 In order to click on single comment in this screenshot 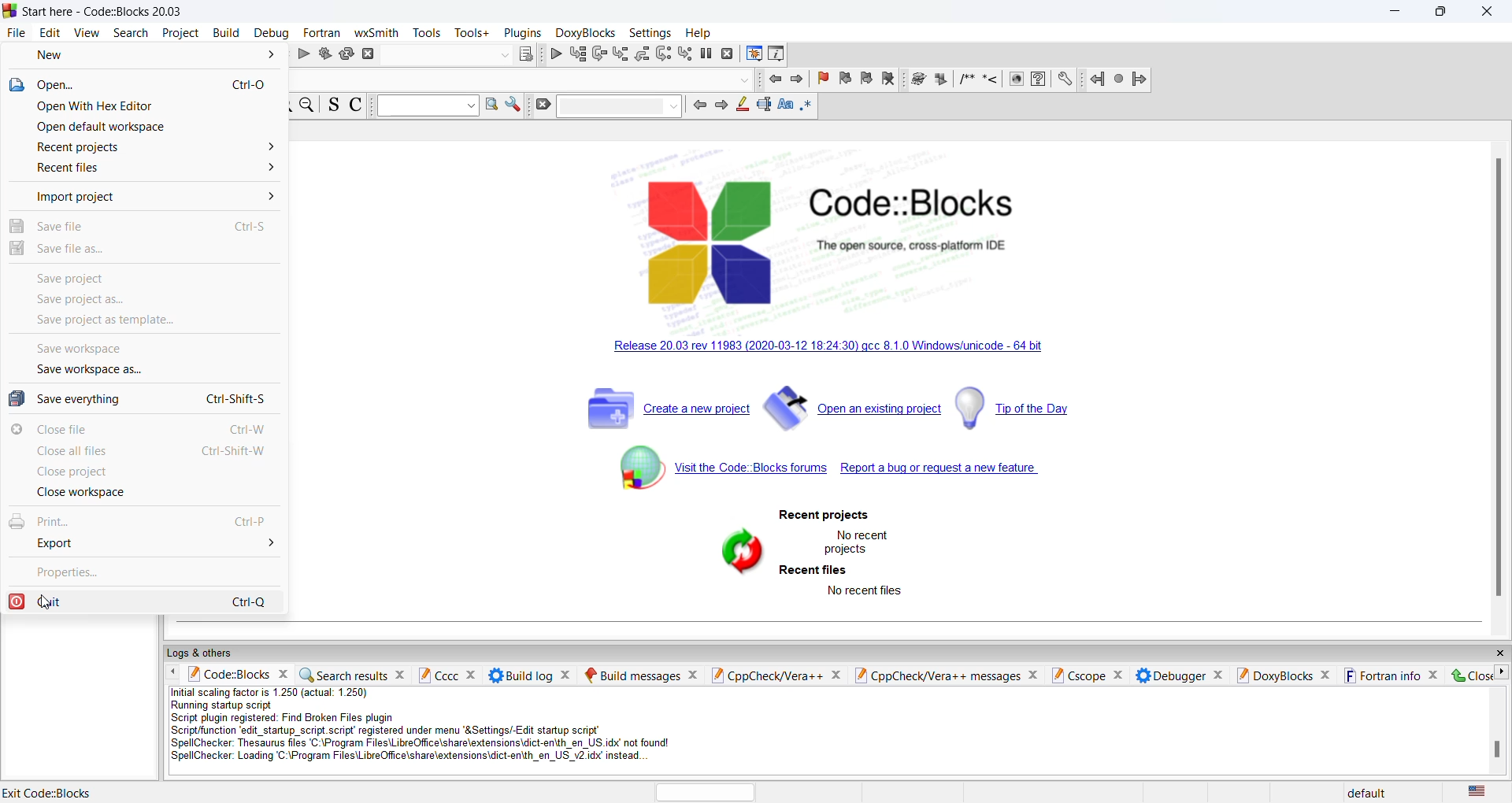, I will do `click(990, 81)`.